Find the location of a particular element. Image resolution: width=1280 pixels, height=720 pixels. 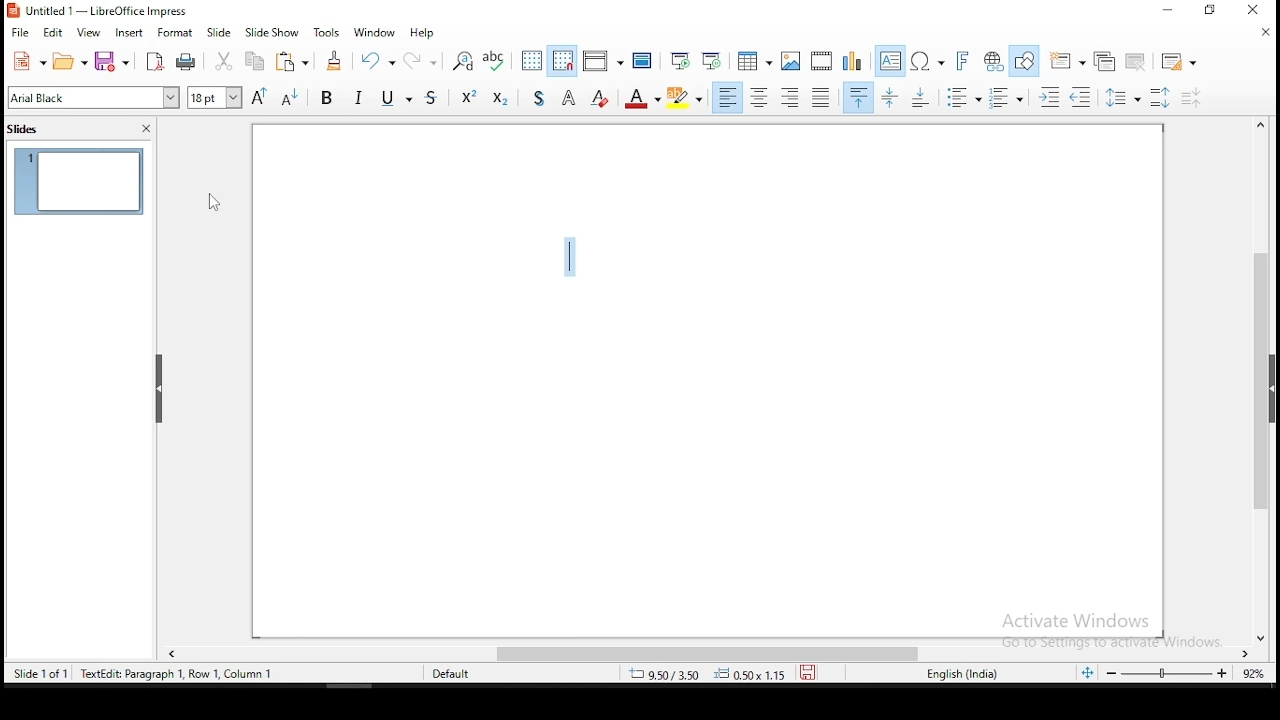

Numbered bullet list is located at coordinates (1006, 98).